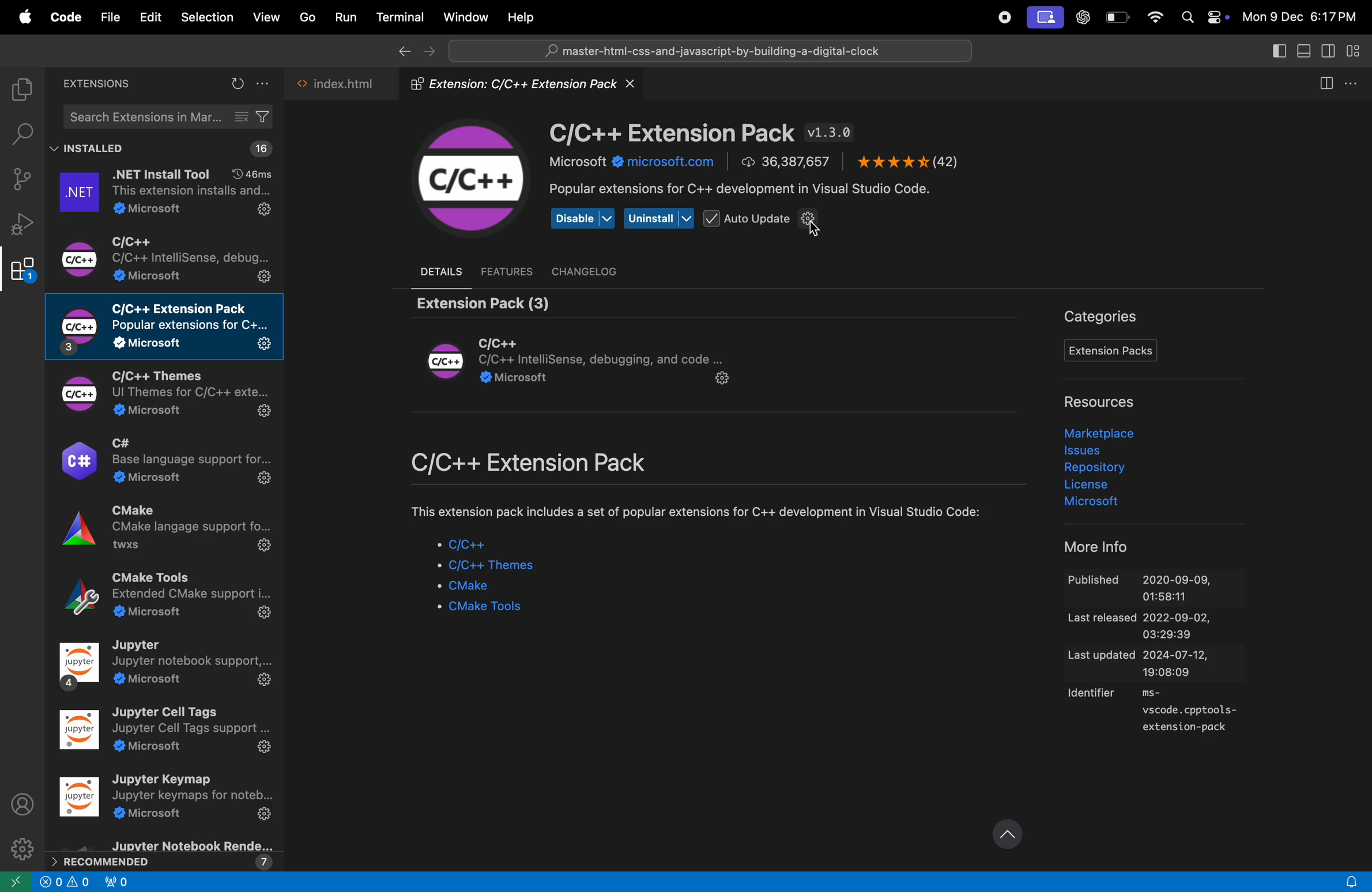 The image size is (1372, 892). I want to click on update, so click(1005, 831).